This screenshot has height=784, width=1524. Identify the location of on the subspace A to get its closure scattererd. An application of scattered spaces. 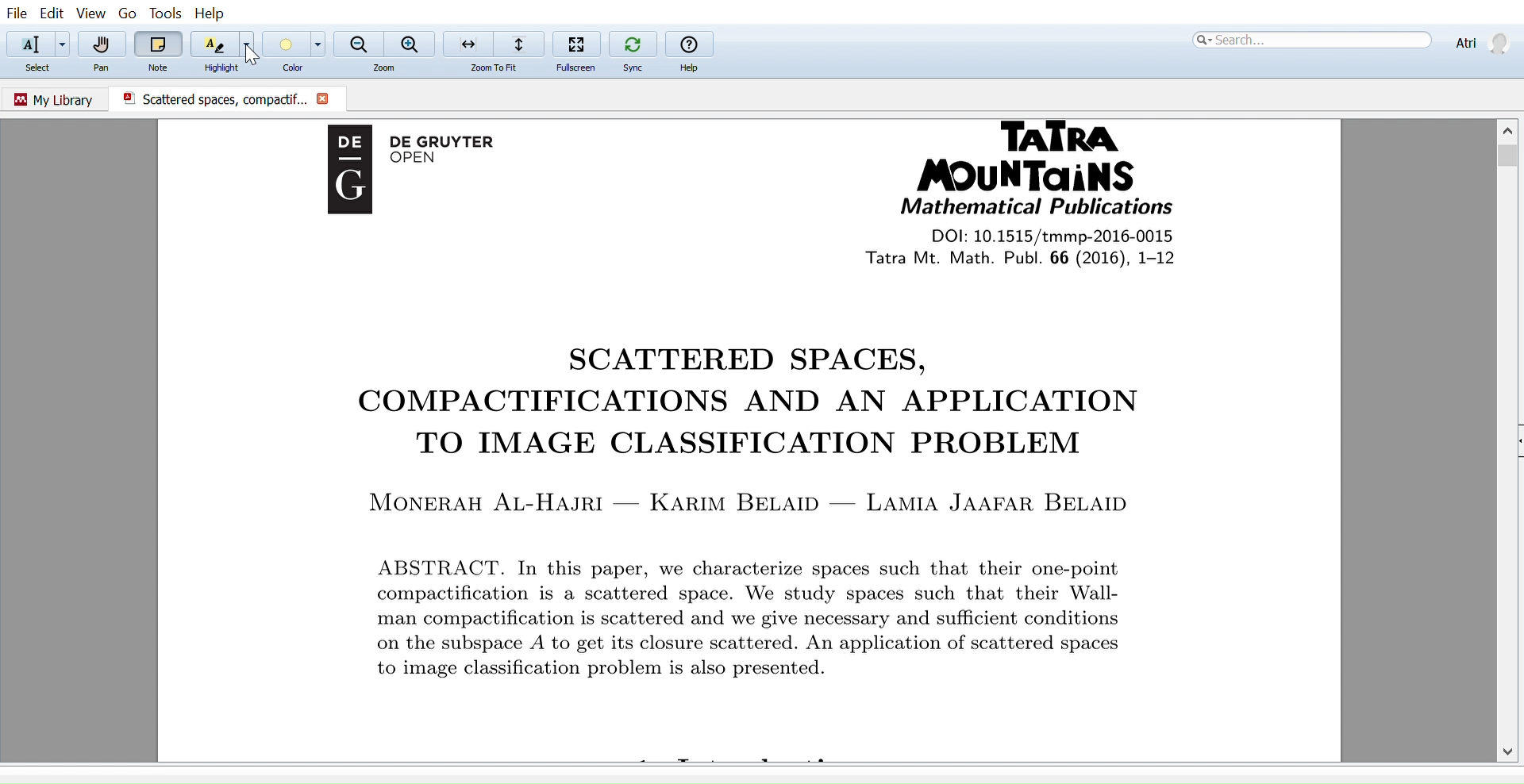
(771, 644).